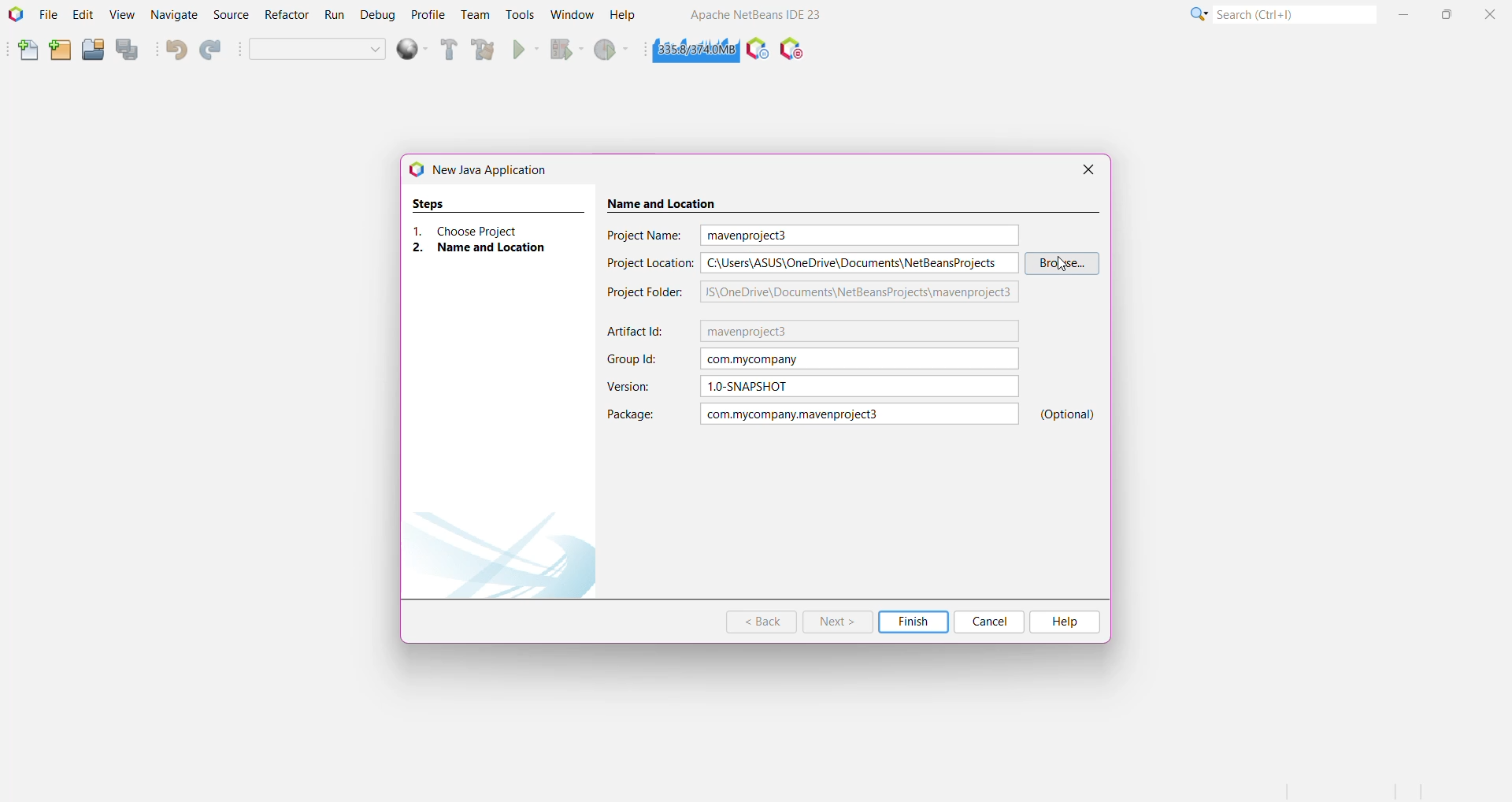 The height and width of the screenshot is (802, 1512). I want to click on Close, so click(1088, 169).